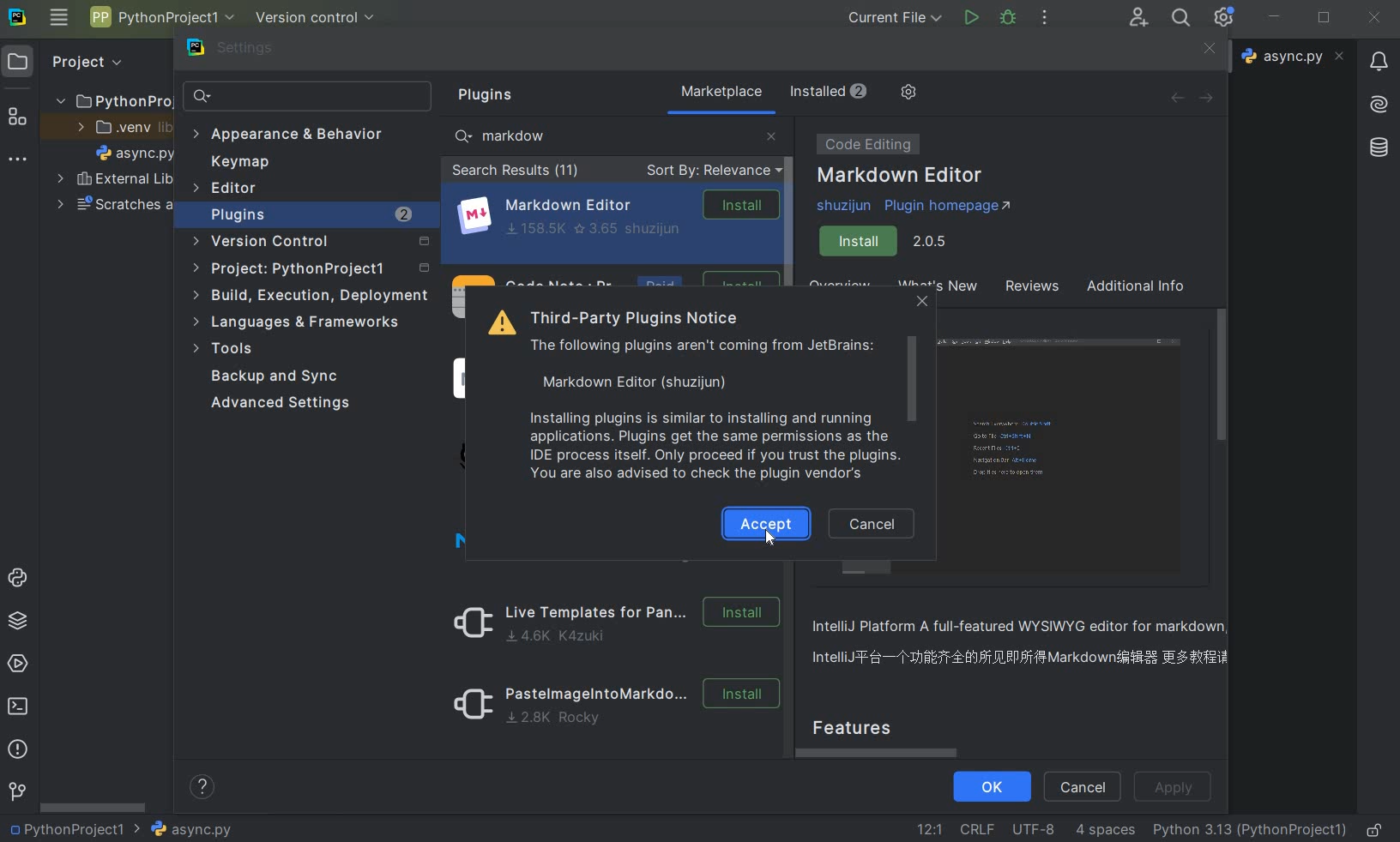 The height and width of the screenshot is (842, 1400). Describe the element at coordinates (511, 135) in the screenshot. I see `markdown` at that location.